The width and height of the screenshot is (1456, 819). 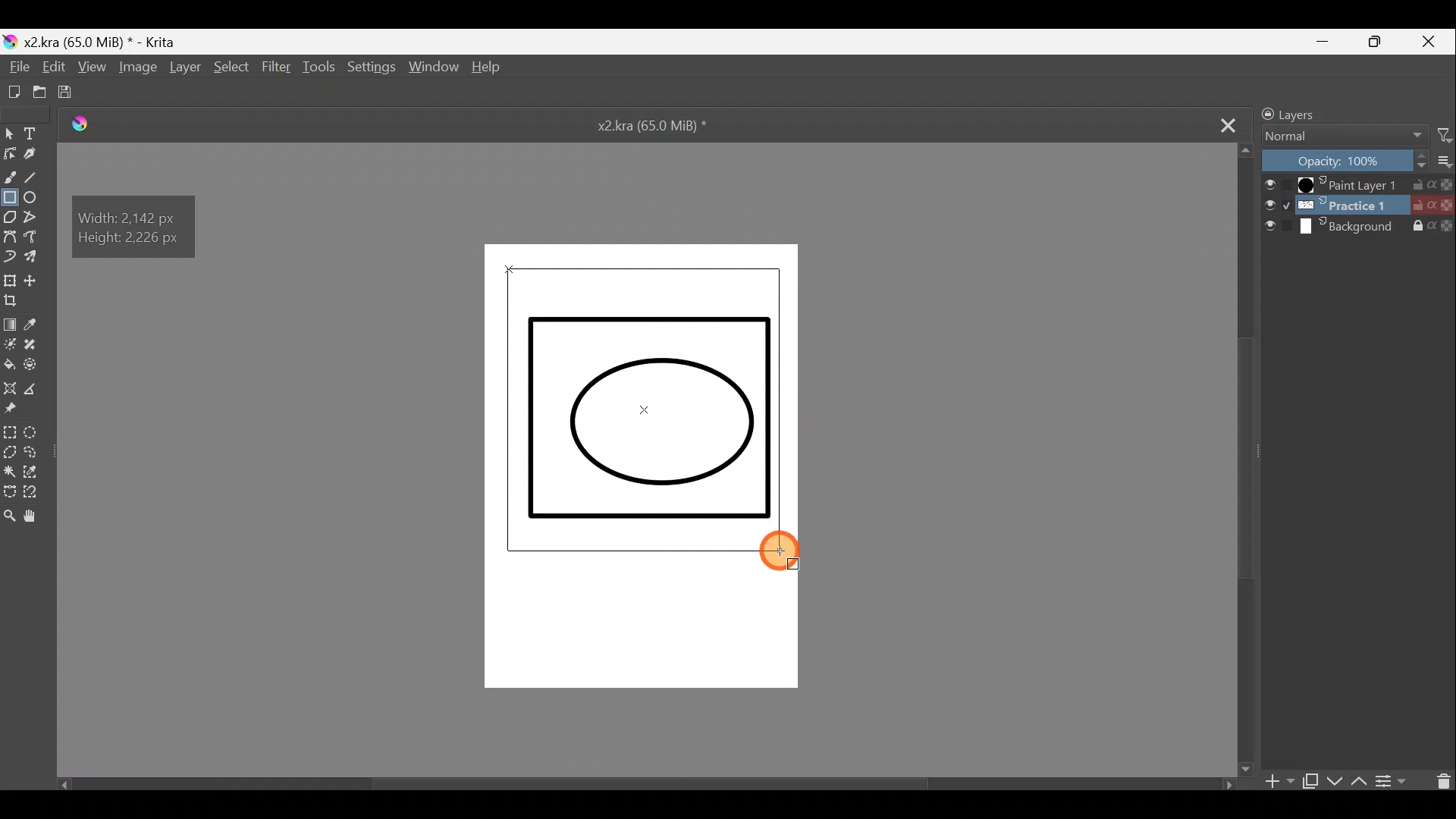 I want to click on Paint Layer 1, so click(x=1357, y=185).